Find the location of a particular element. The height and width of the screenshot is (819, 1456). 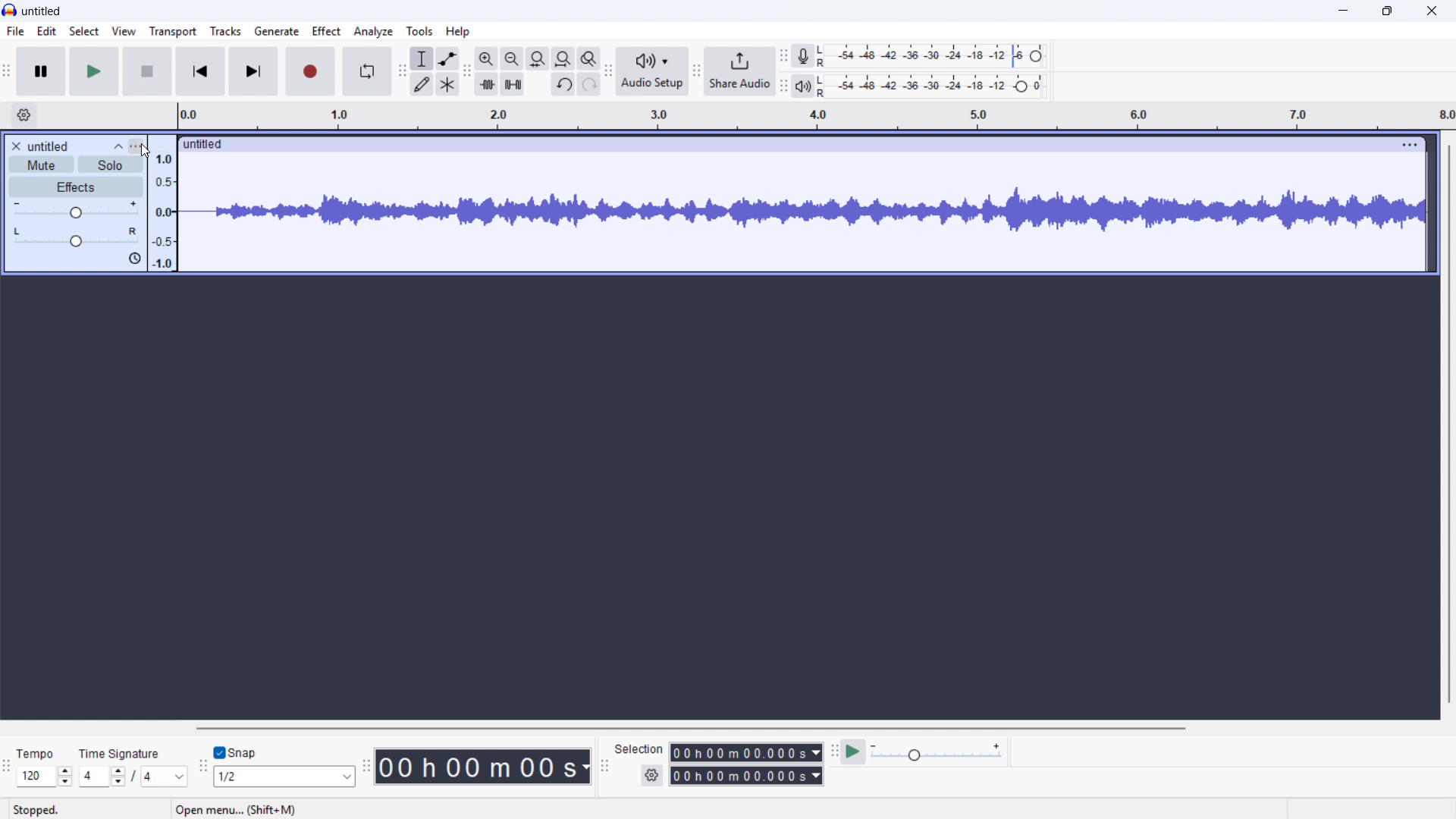

Recording level  is located at coordinates (936, 55).